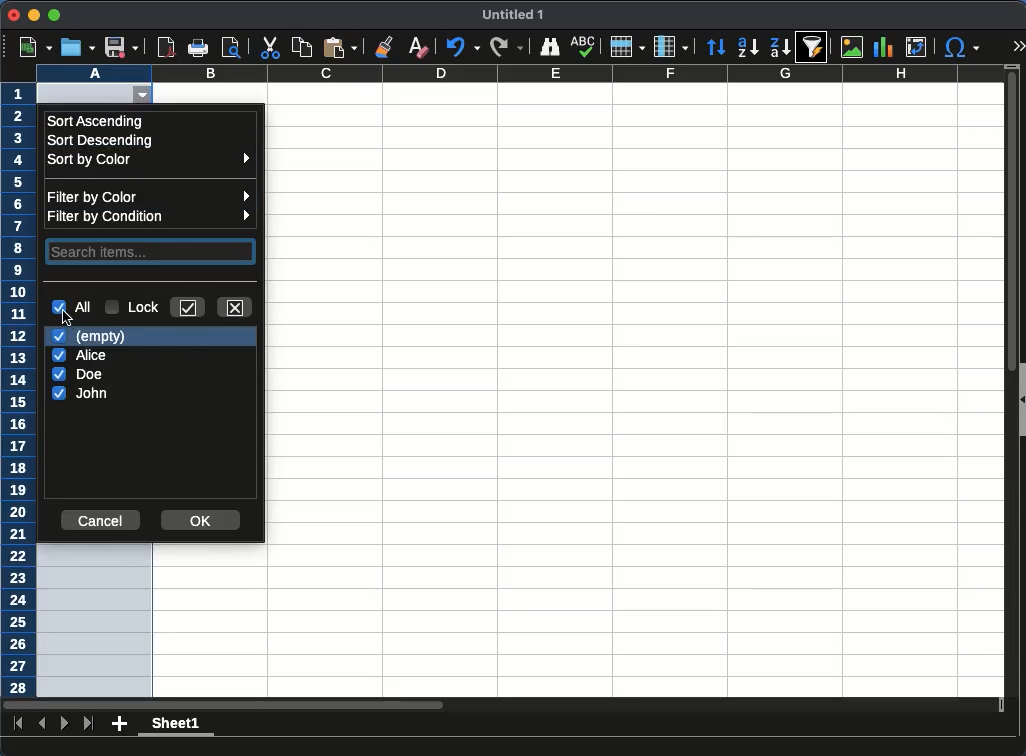 The image size is (1026, 756). What do you see at coordinates (79, 374) in the screenshot?
I see `doe` at bounding box center [79, 374].